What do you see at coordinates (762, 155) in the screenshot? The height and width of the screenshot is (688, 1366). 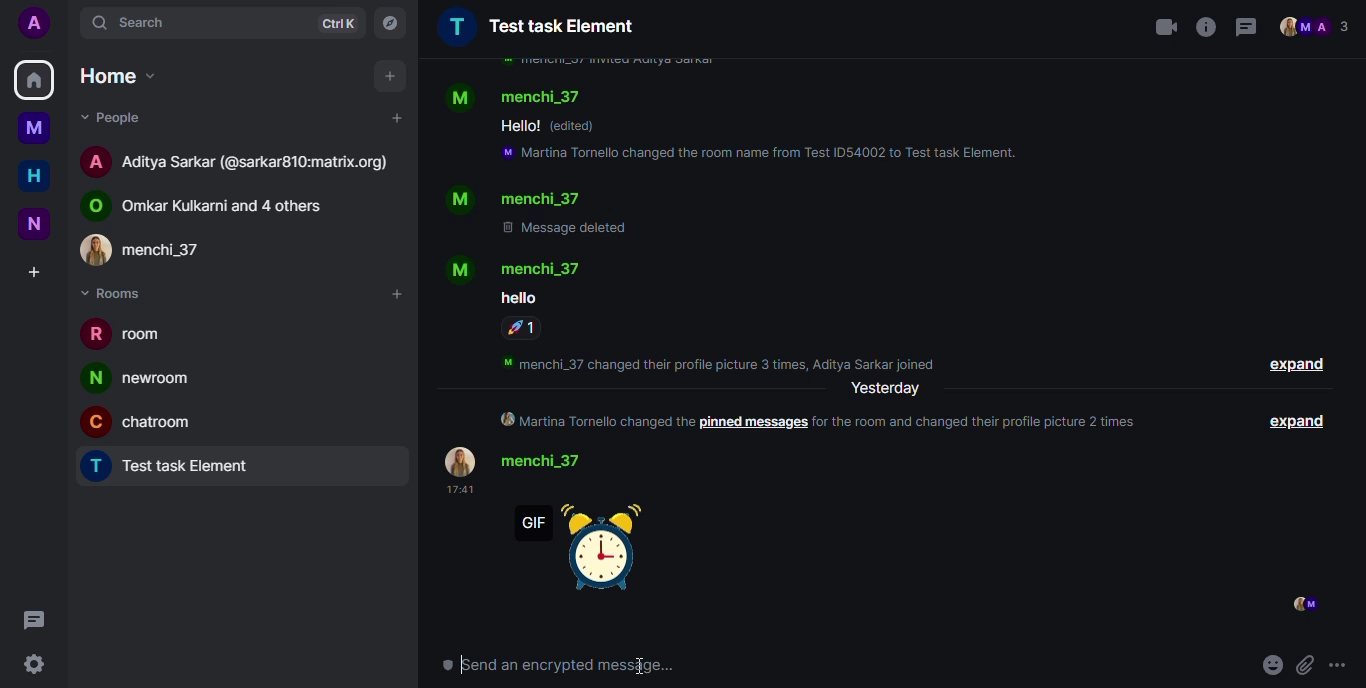 I see `info- Martina tornealo changed the room name ` at bounding box center [762, 155].